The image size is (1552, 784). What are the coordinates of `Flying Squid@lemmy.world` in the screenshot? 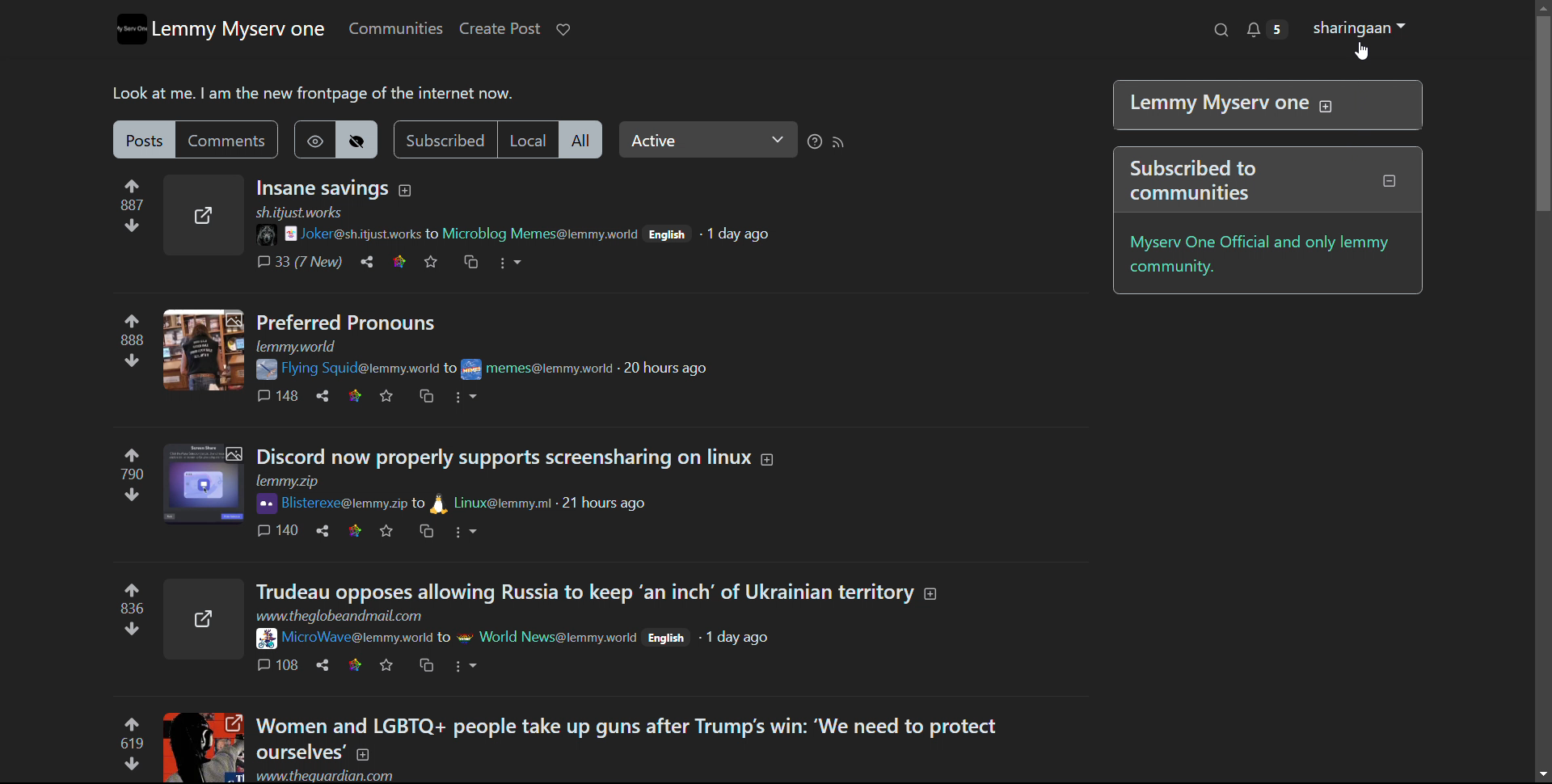 It's located at (348, 368).